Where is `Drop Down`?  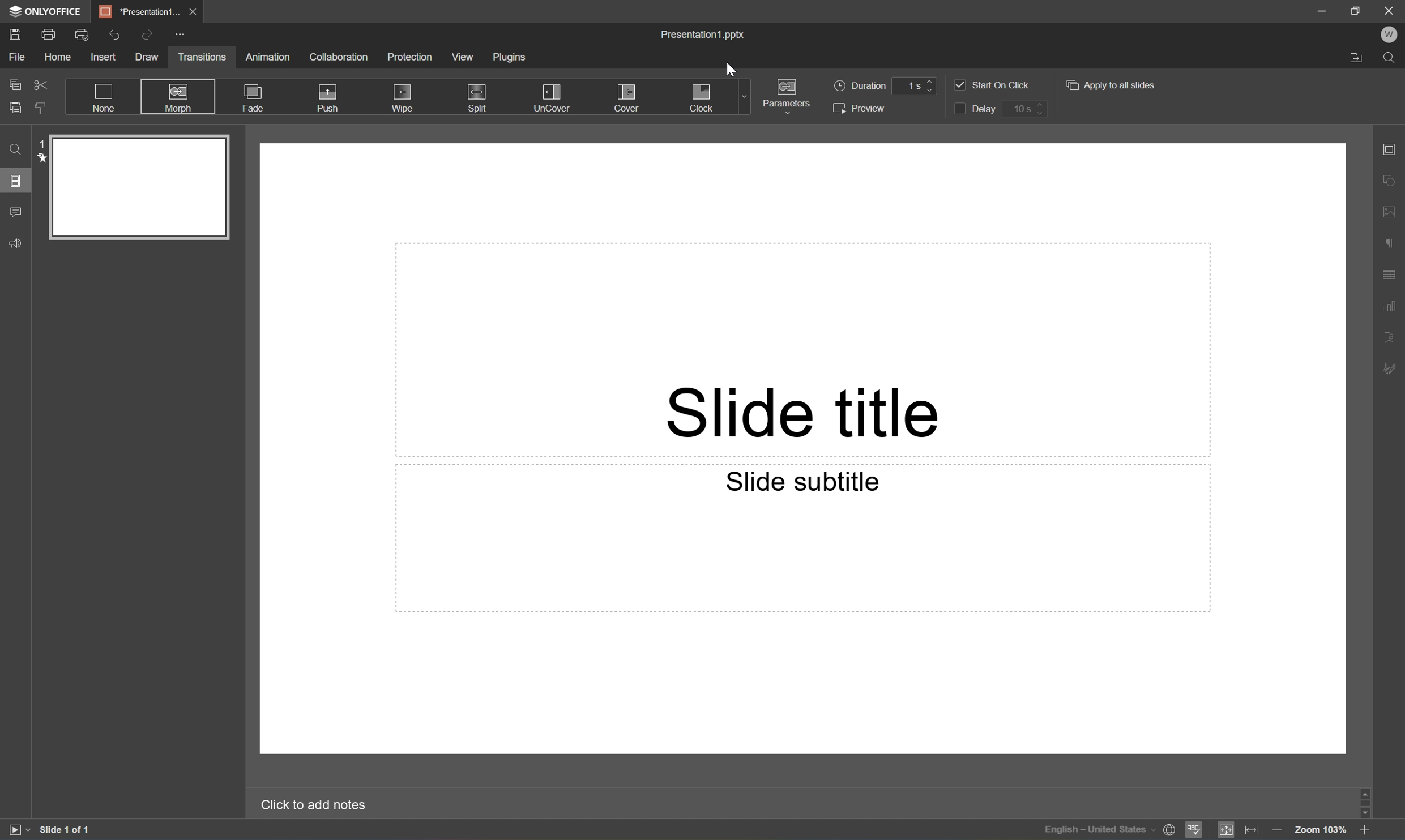 Drop Down is located at coordinates (742, 96).